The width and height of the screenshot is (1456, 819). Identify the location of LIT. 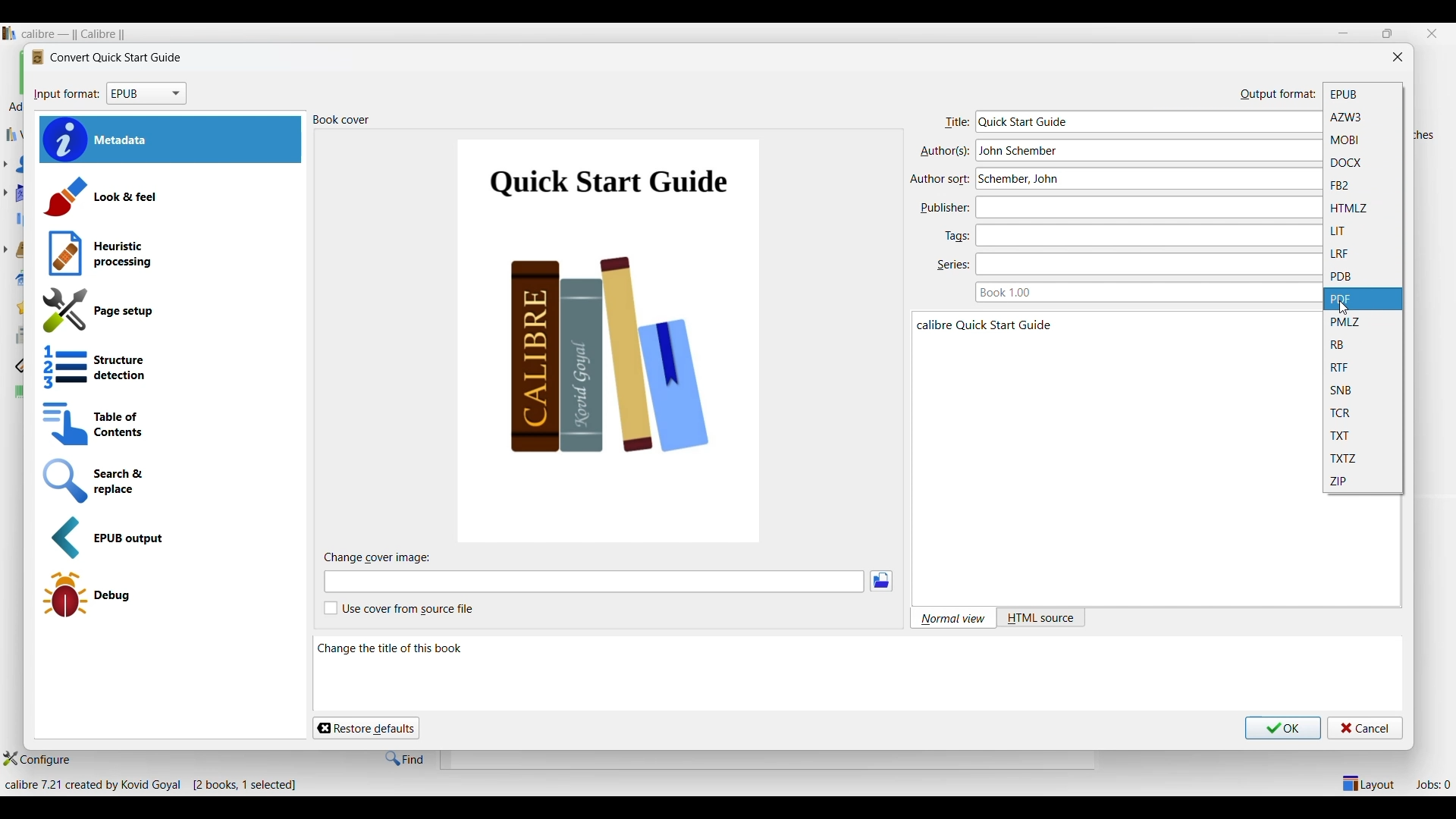
(1364, 231).